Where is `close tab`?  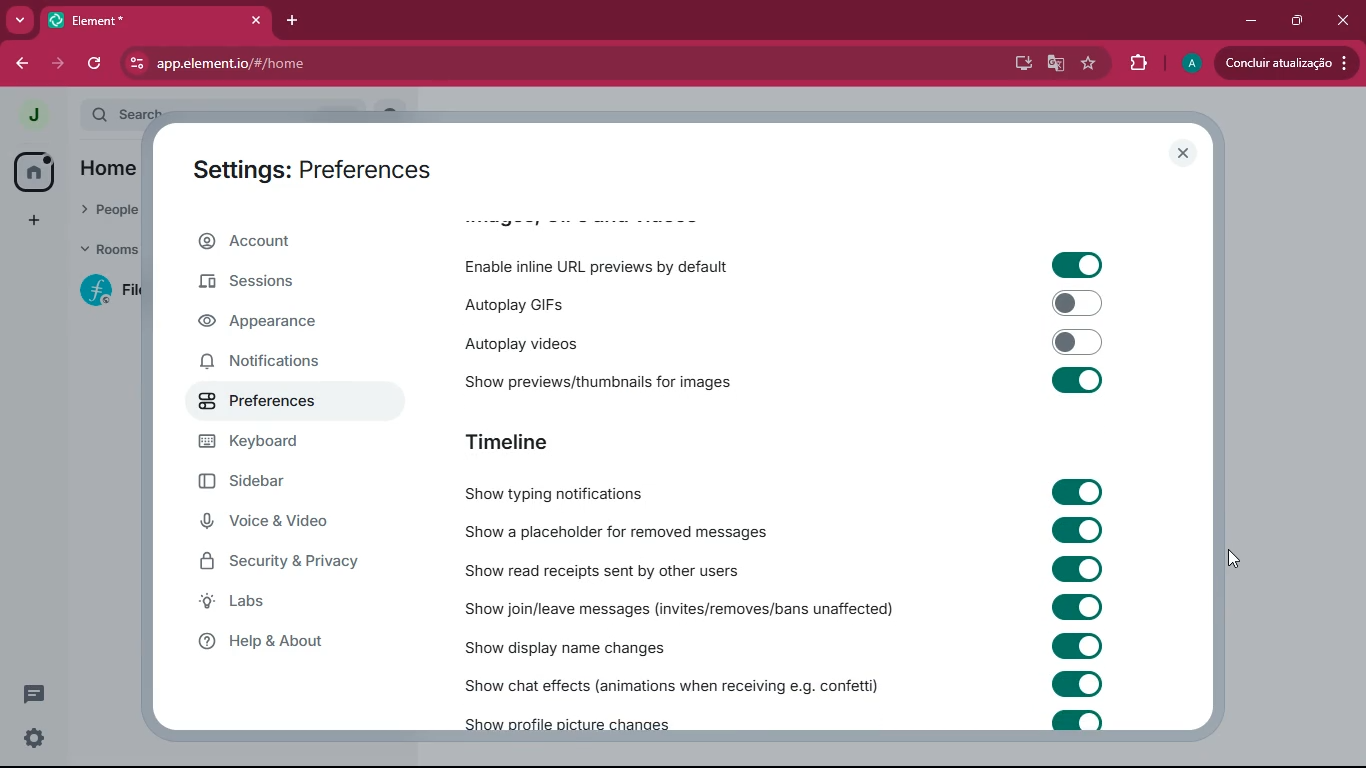
close tab is located at coordinates (256, 21).